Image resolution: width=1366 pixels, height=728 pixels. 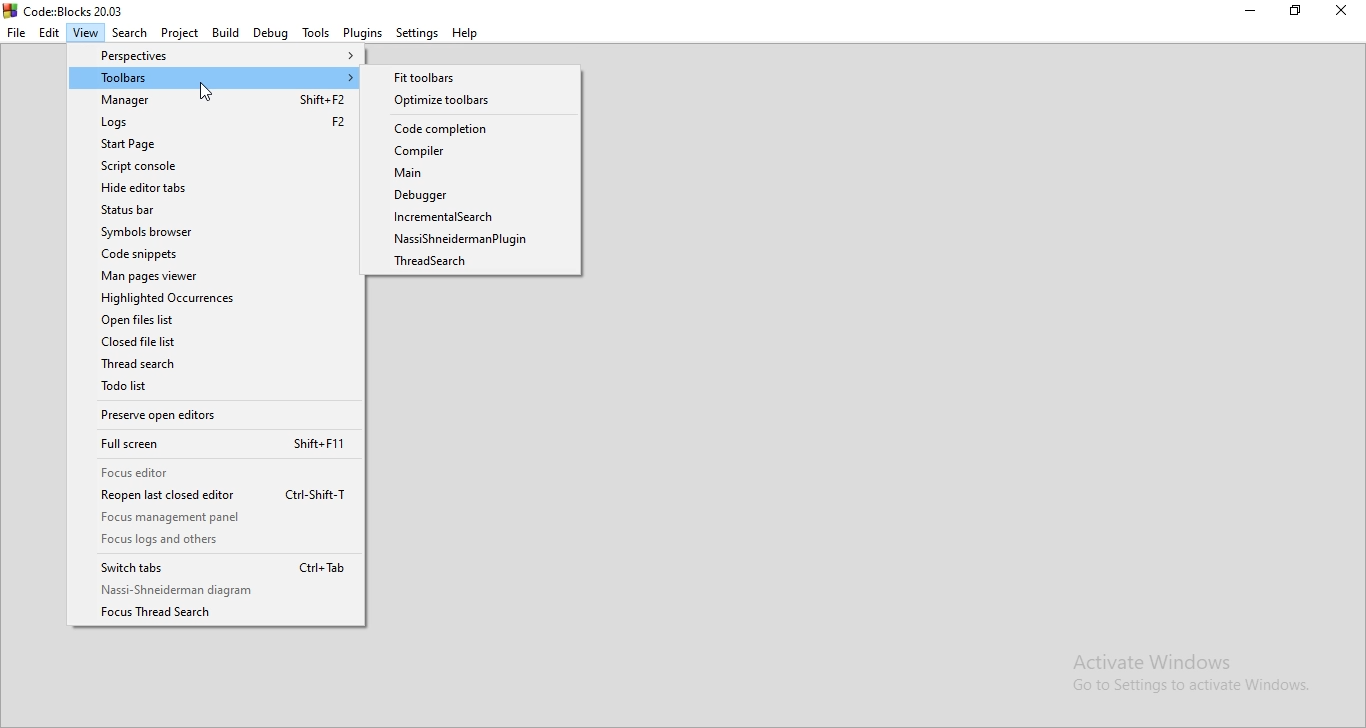 I want to click on Debugger, so click(x=472, y=195).